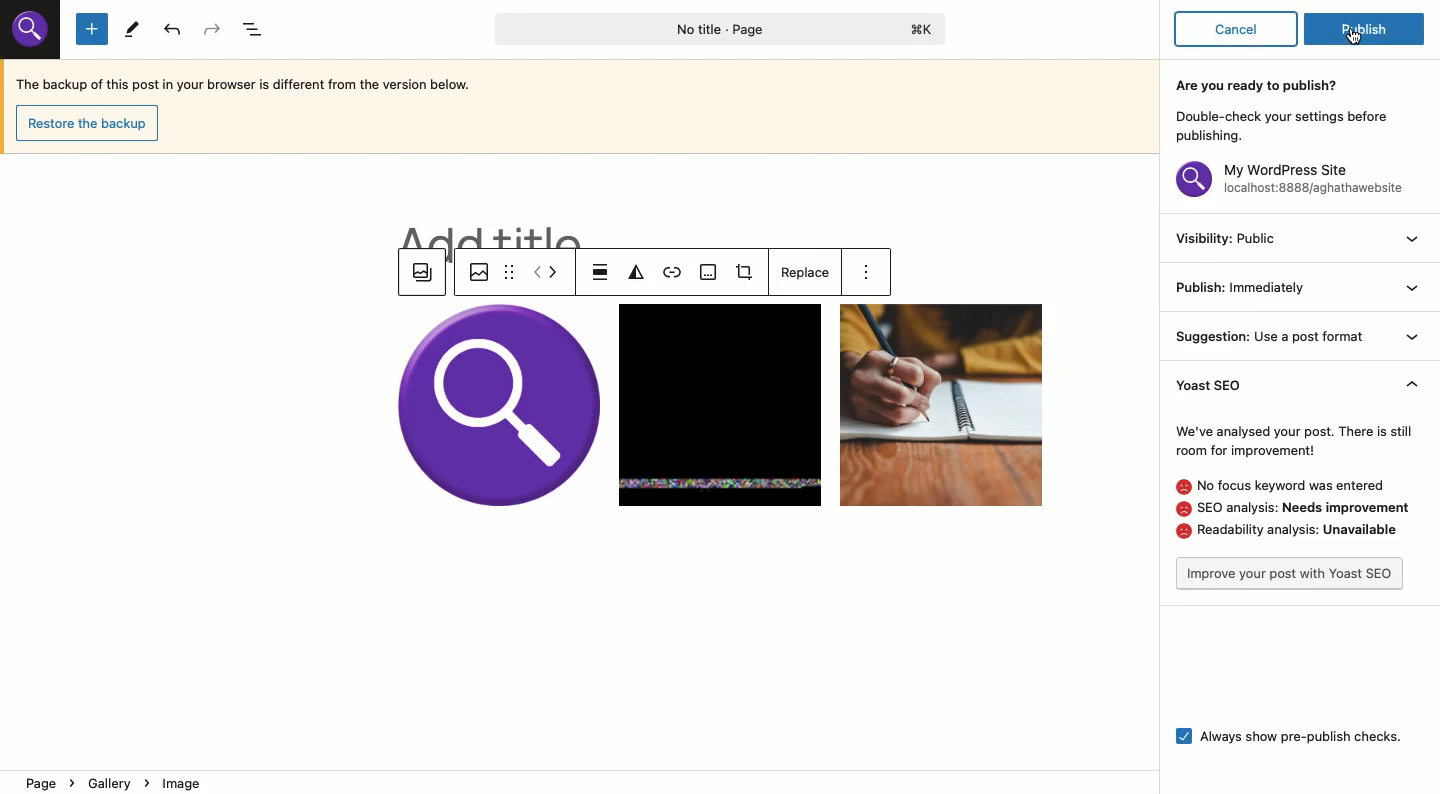  What do you see at coordinates (714, 30) in the screenshot?
I see `Page` at bounding box center [714, 30].